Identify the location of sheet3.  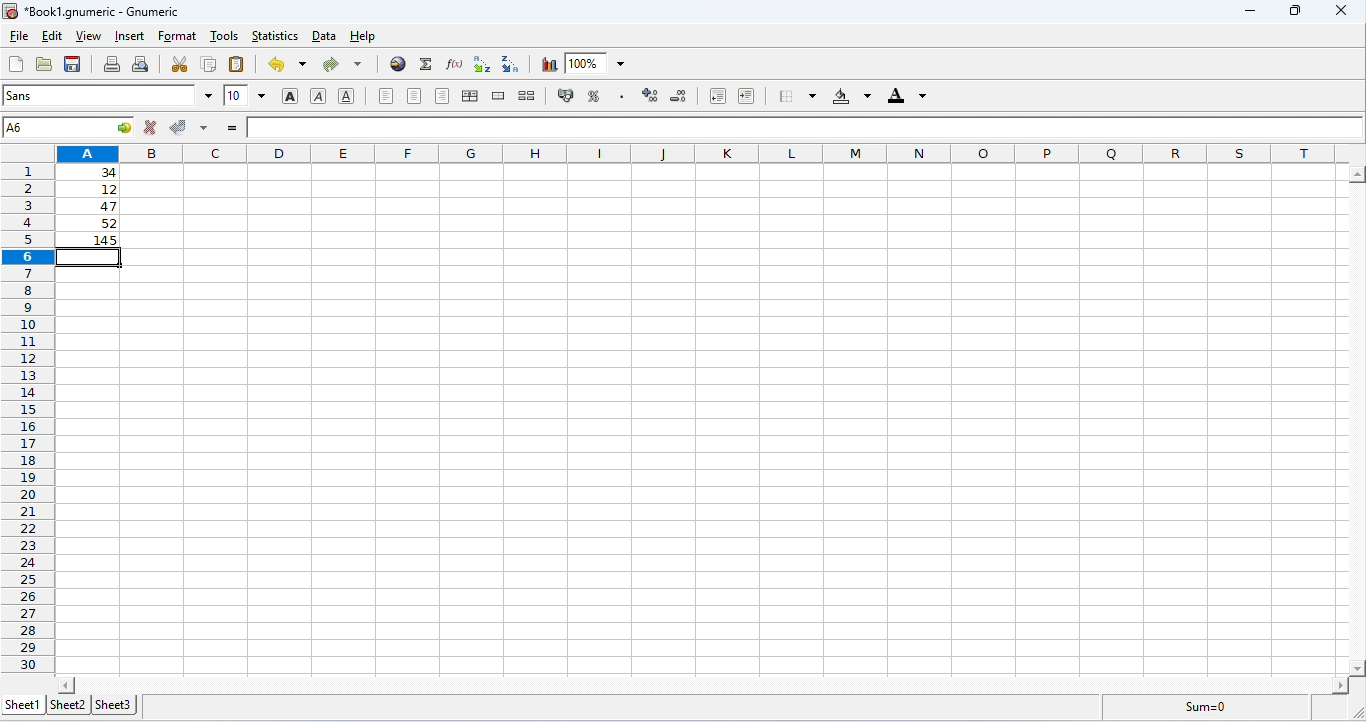
(117, 705).